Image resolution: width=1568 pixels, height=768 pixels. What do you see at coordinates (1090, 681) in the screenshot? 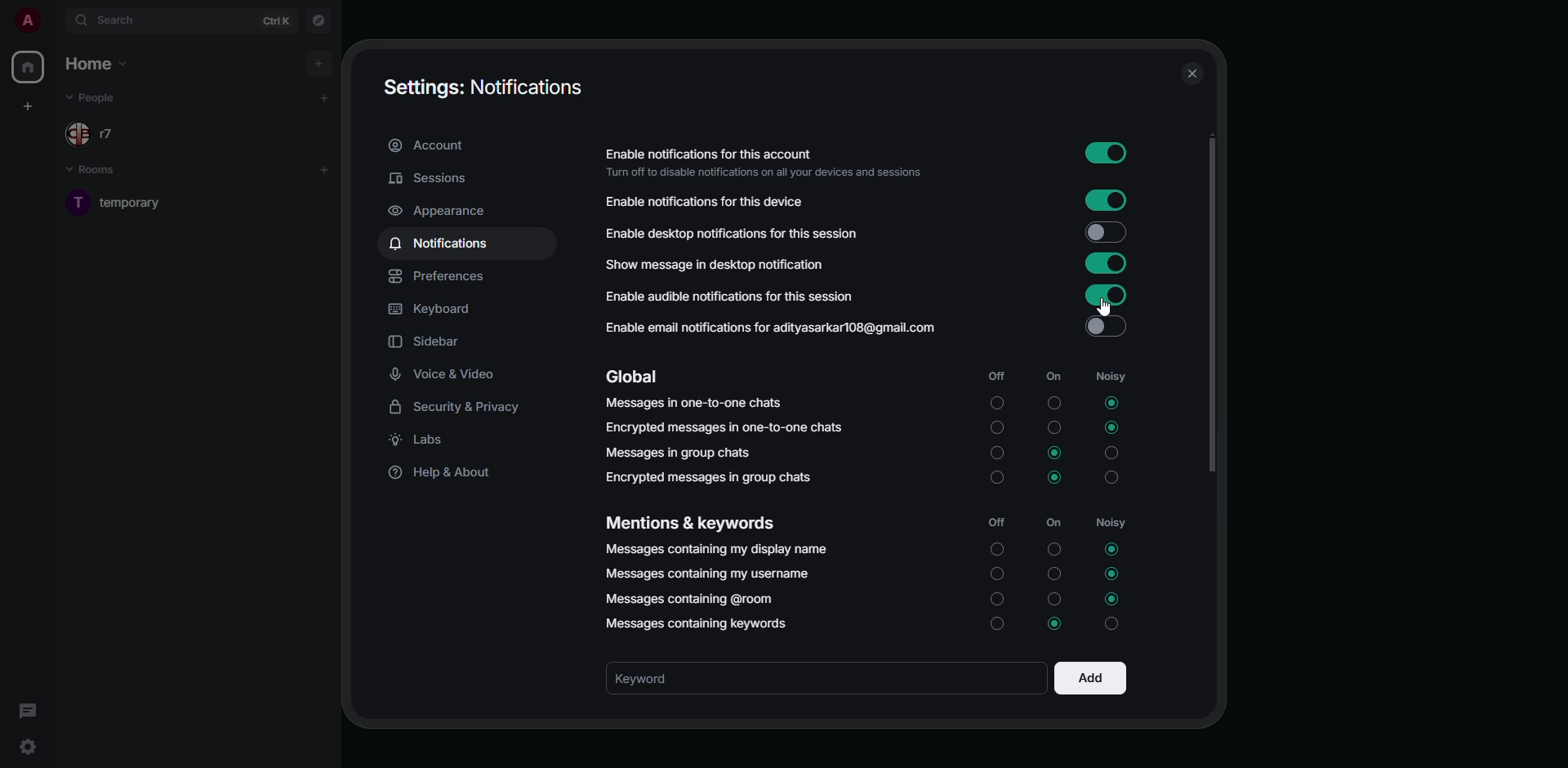
I see `add` at bounding box center [1090, 681].